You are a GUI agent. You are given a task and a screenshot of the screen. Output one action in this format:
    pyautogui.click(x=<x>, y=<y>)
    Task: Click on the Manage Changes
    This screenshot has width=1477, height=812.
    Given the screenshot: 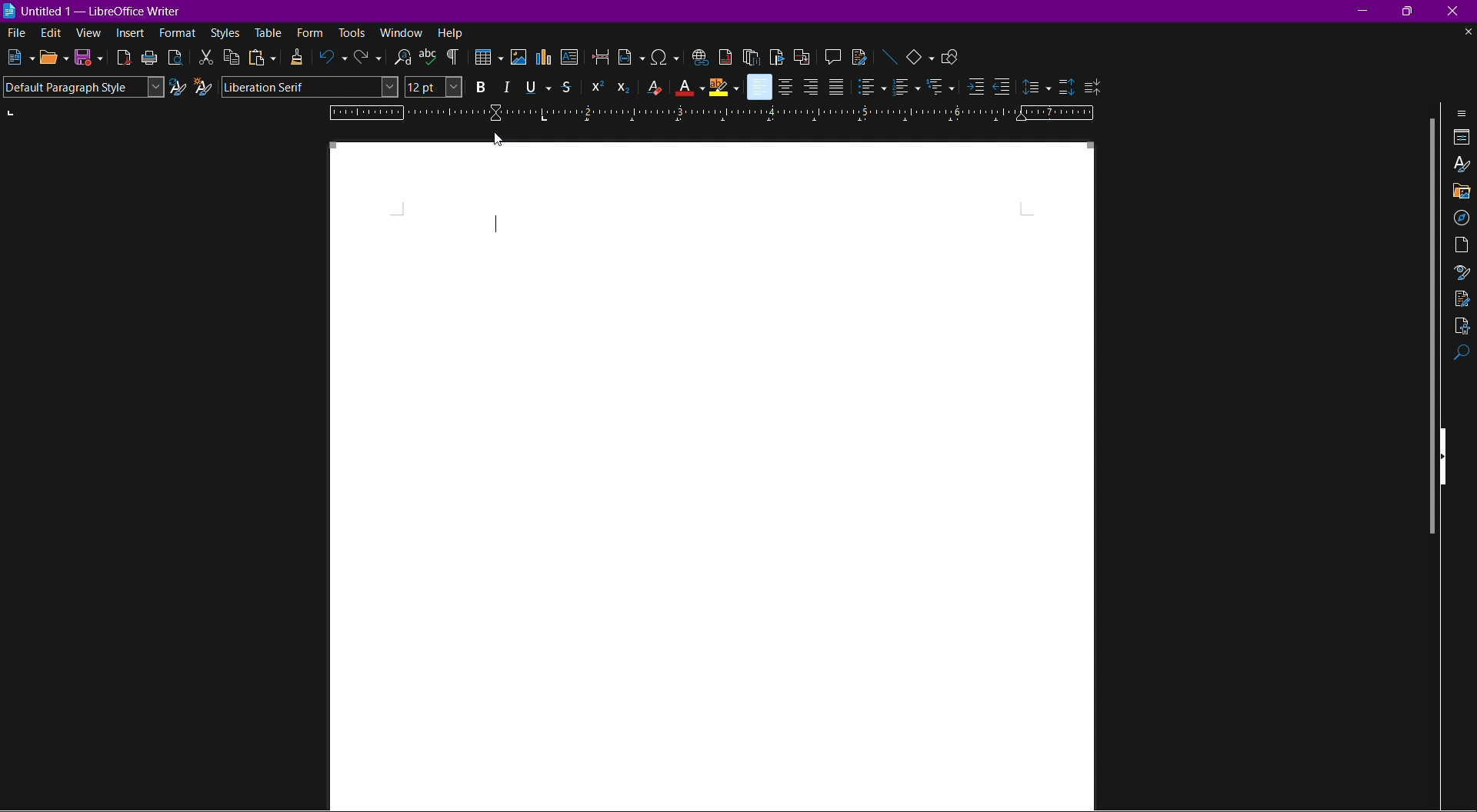 What is the action you would take?
    pyautogui.click(x=1462, y=298)
    